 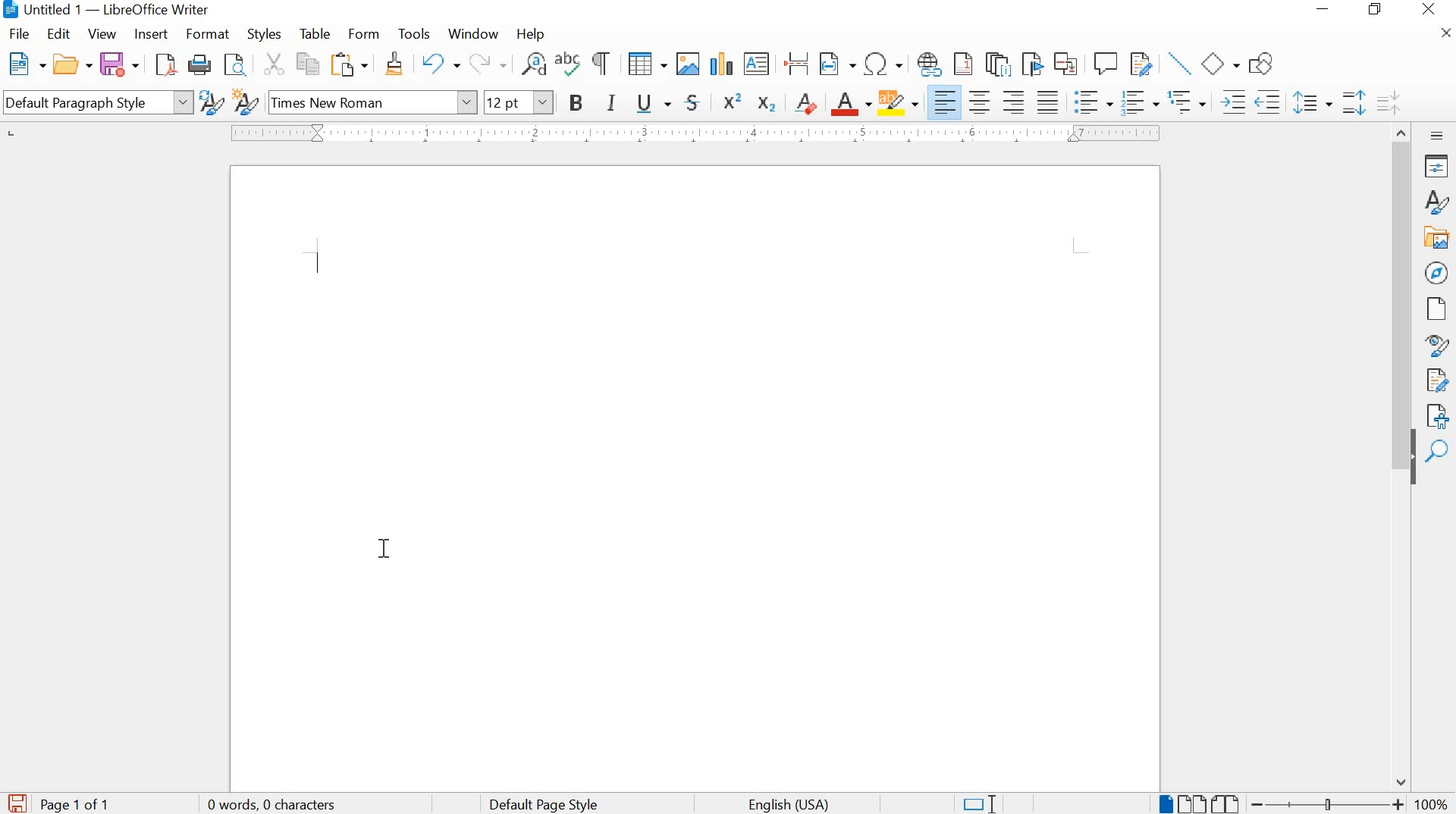 What do you see at coordinates (1436, 344) in the screenshot?
I see `STYLE INSPECTOR` at bounding box center [1436, 344].